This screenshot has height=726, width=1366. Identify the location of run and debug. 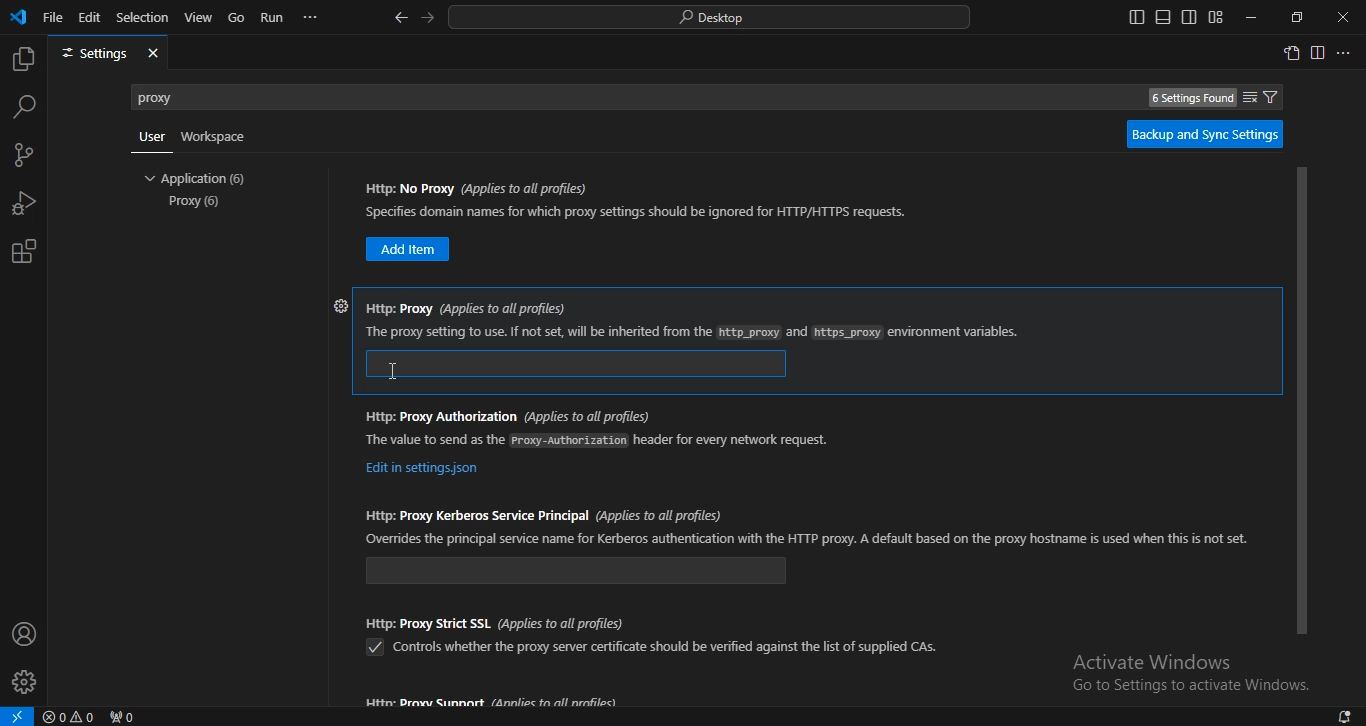
(22, 202).